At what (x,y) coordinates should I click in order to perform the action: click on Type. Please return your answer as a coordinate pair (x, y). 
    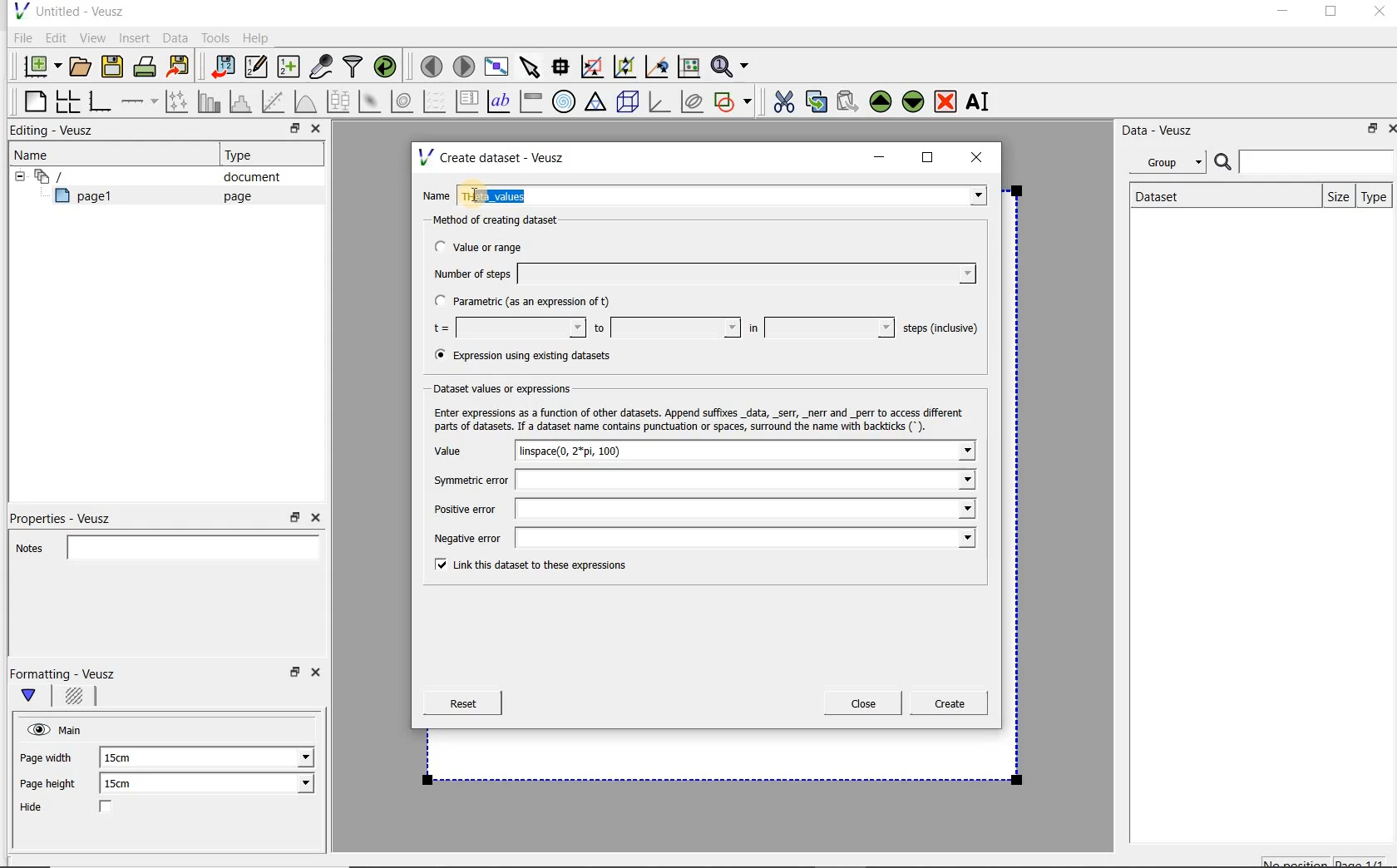
    Looking at the image, I should click on (1375, 196).